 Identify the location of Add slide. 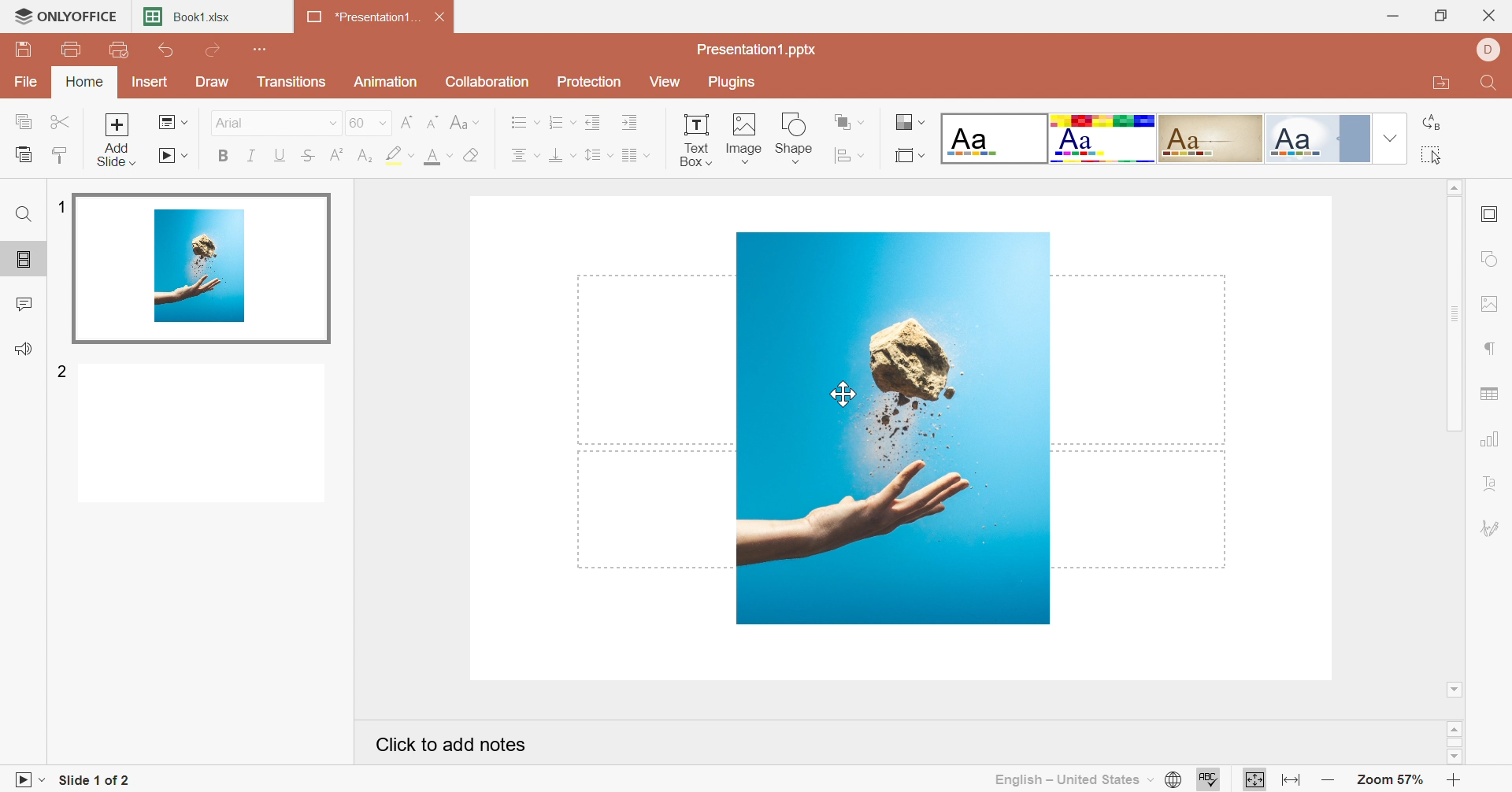
(117, 138).